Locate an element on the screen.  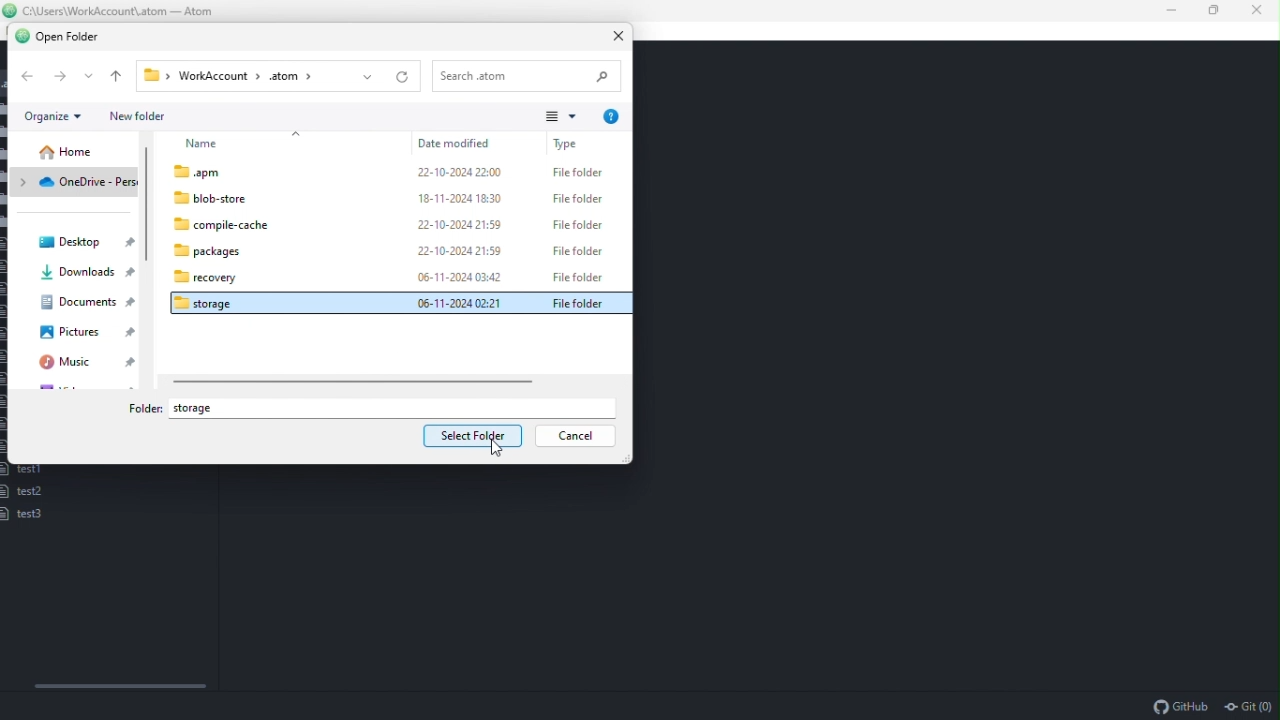
Pictures is located at coordinates (87, 334).